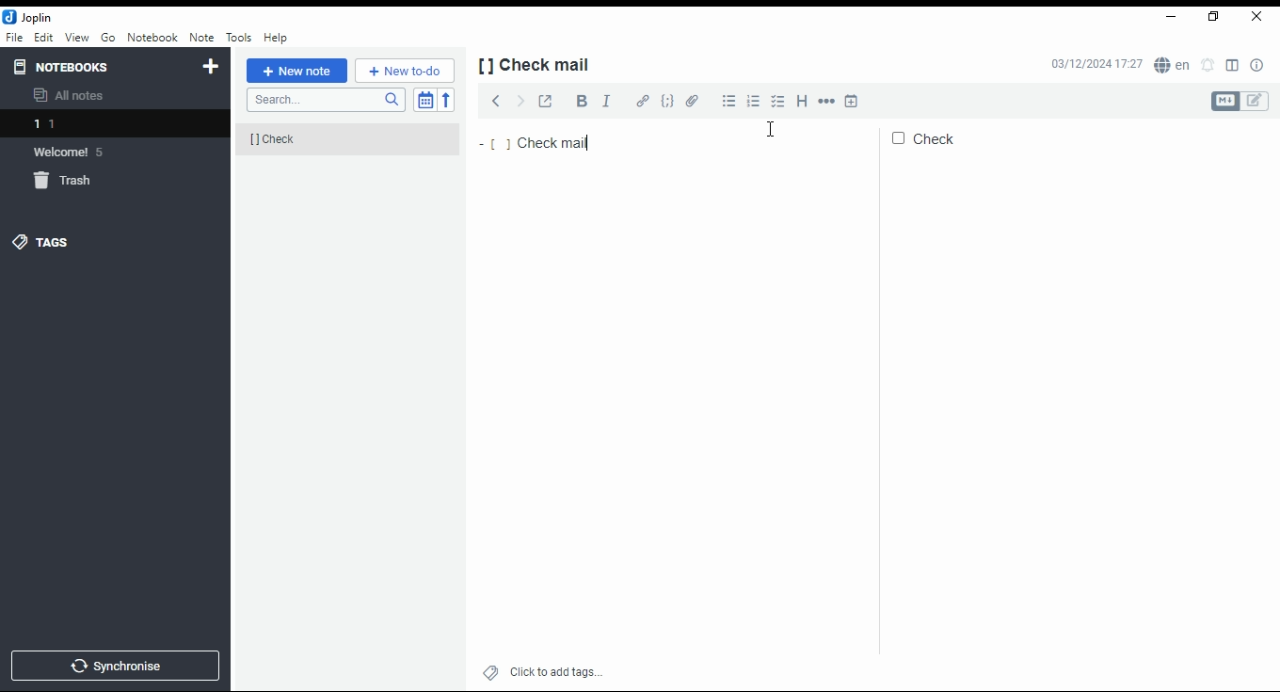 This screenshot has height=692, width=1280. I want to click on [] check mail, so click(541, 64).